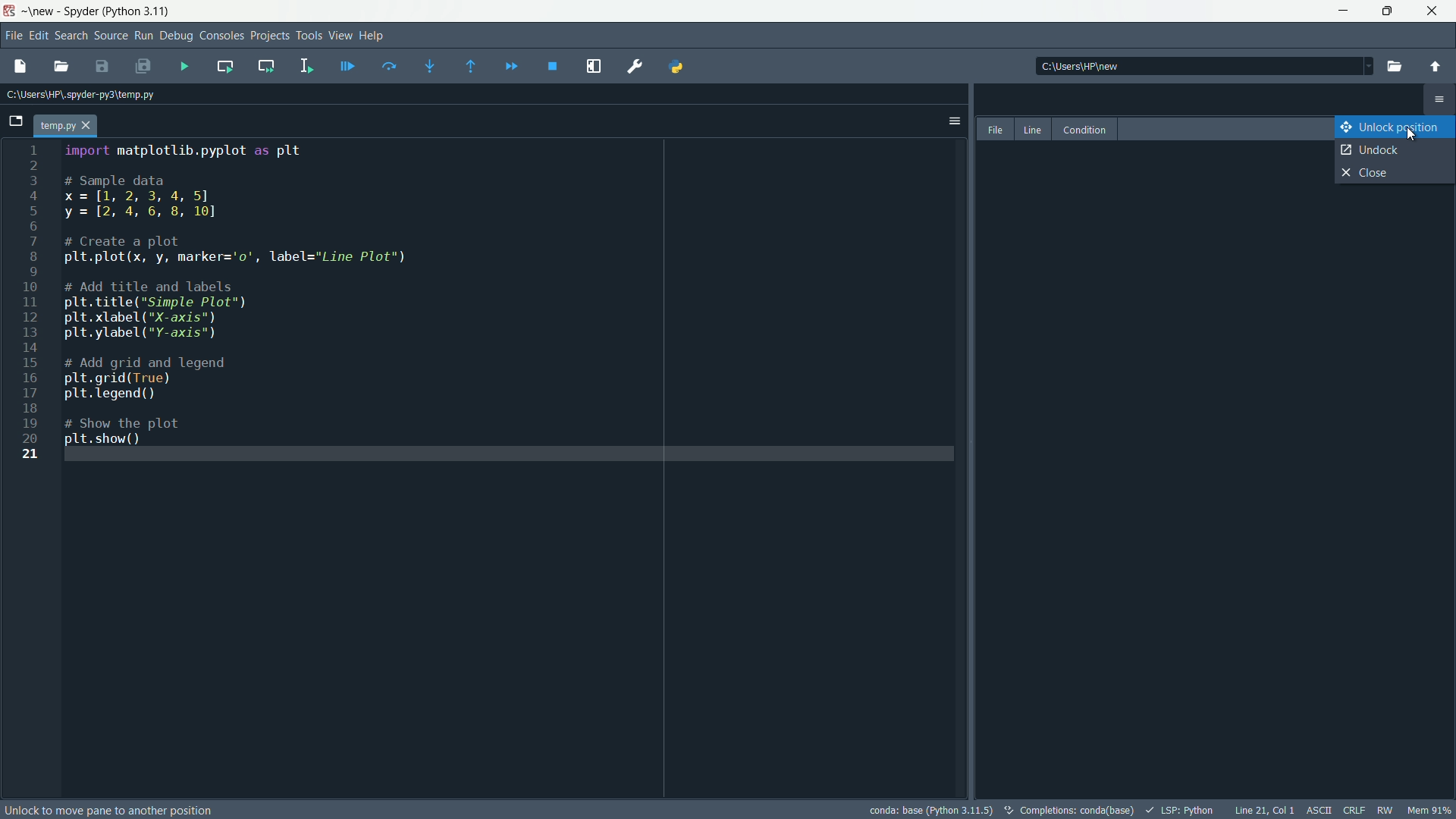  I want to click on open file, so click(61, 66).